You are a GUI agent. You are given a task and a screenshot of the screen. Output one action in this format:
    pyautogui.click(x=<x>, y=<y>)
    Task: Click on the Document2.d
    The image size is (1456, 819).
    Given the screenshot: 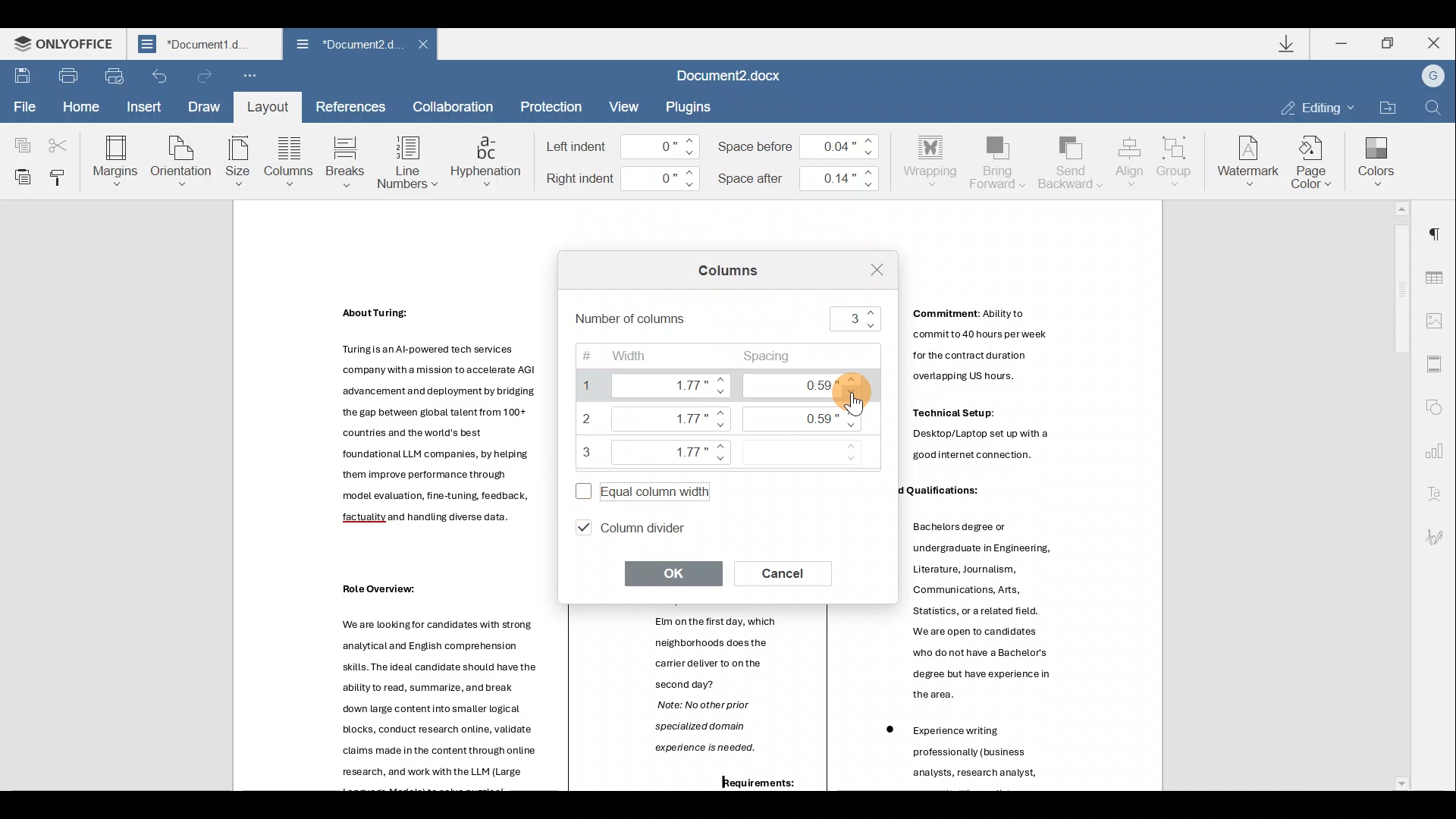 What is the action you would take?
    pyautogui.click(x=347, y=48)
    